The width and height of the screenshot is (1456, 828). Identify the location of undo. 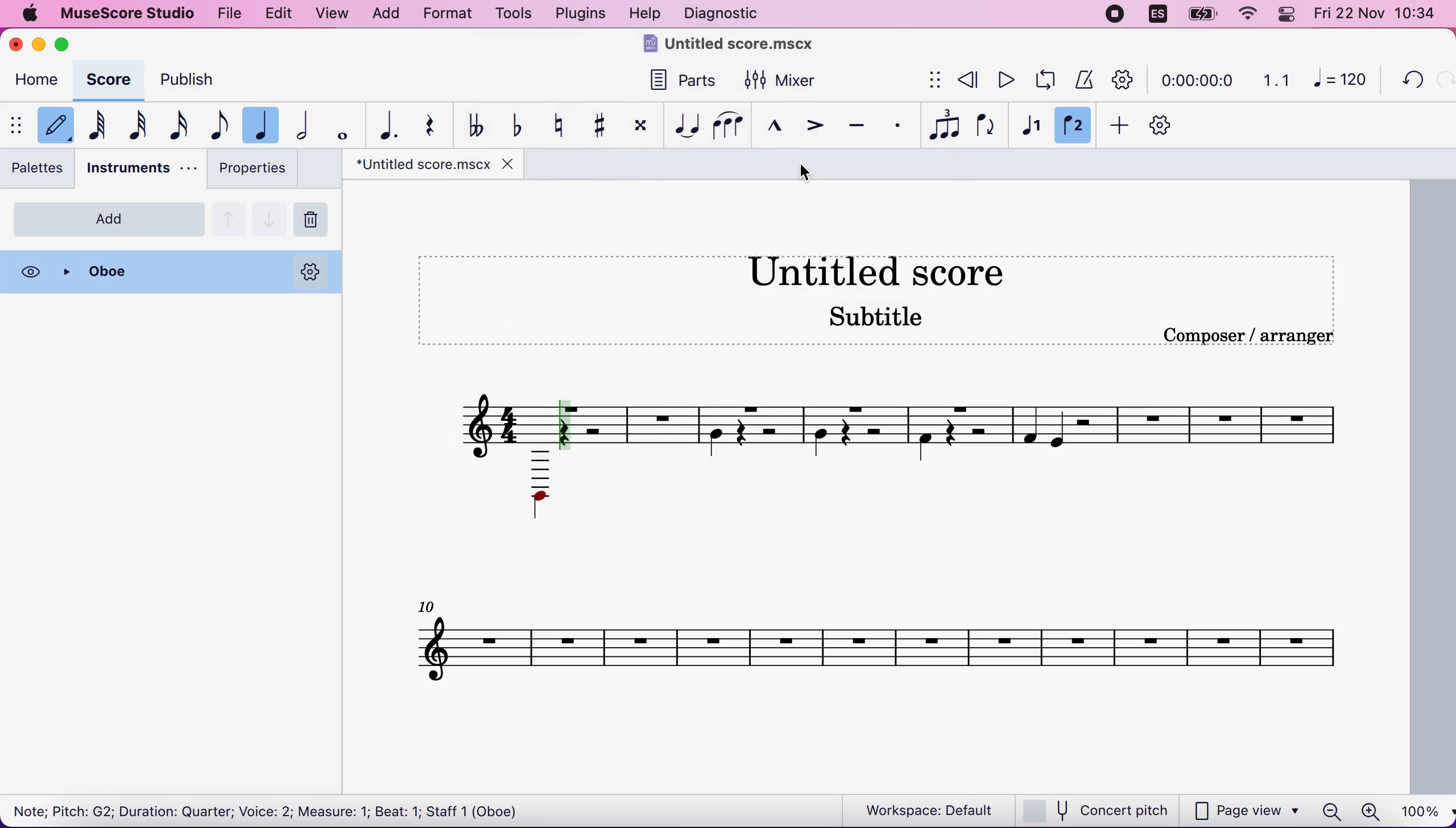
(1408, 82).